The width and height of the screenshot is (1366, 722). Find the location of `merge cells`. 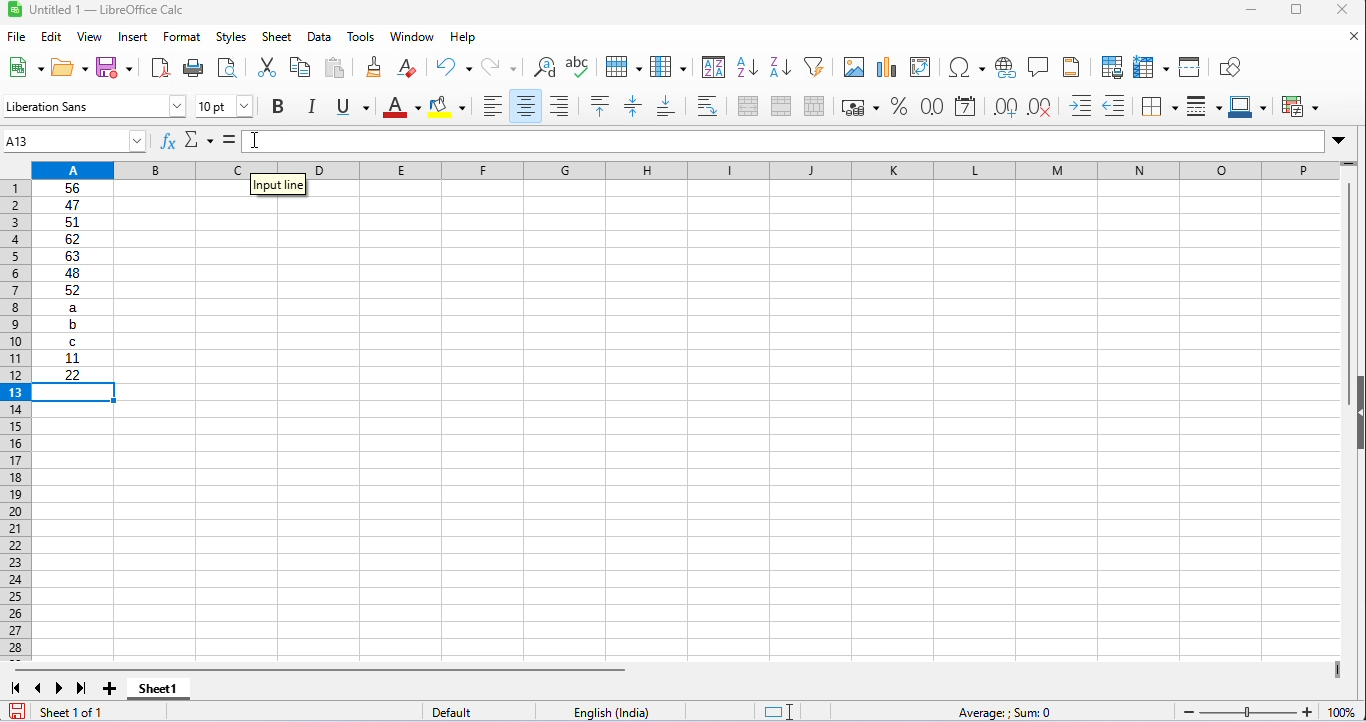

merge cells is located at coordinates (780, 104).